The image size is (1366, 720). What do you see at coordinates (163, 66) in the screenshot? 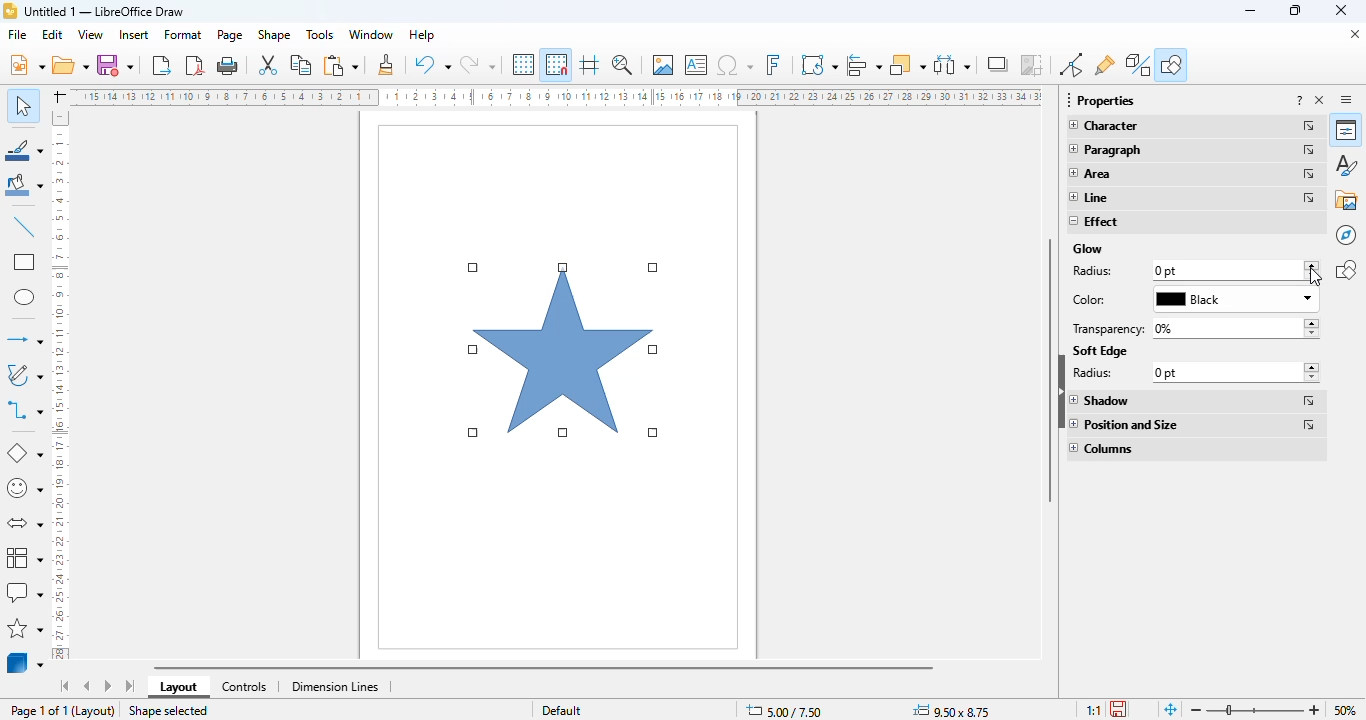
I see `export` at bounding box center [163, 66].